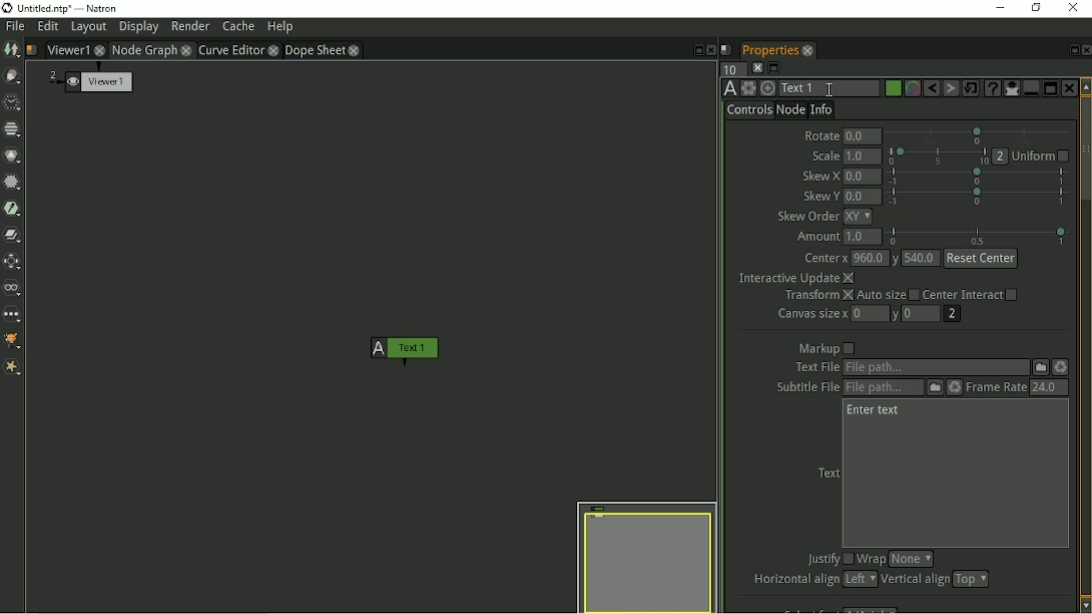 This screenshot has height=614, width=1092. Describe the element at coordinates (996, 388) in the screenshot. I see `Frame Rate` at that location.